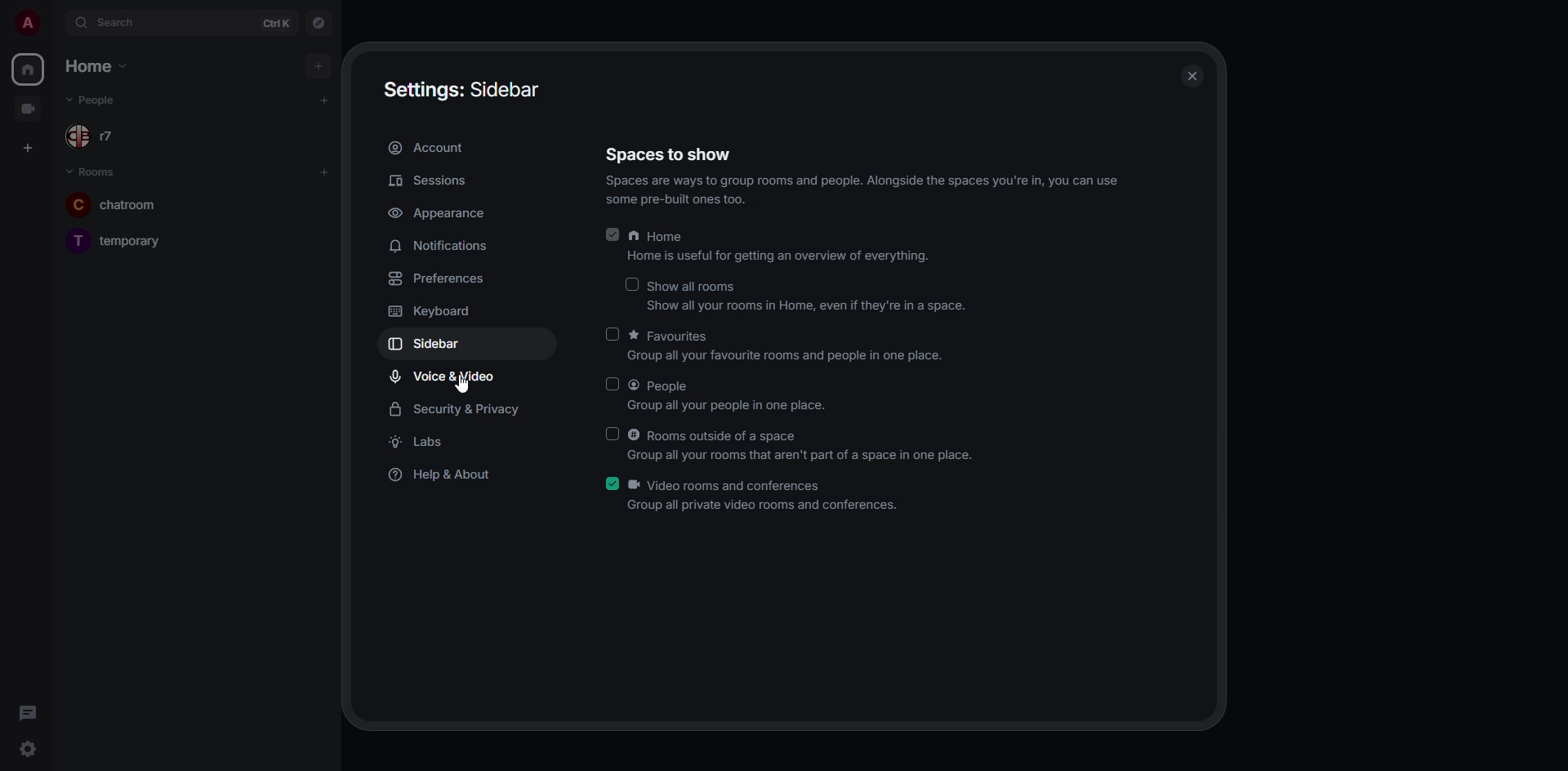 This screenshot has width=1568, height=771. What do you see at coordinates (26, 749) in the screenshot?
I see `quick settings` at bounding box center [26, 749].